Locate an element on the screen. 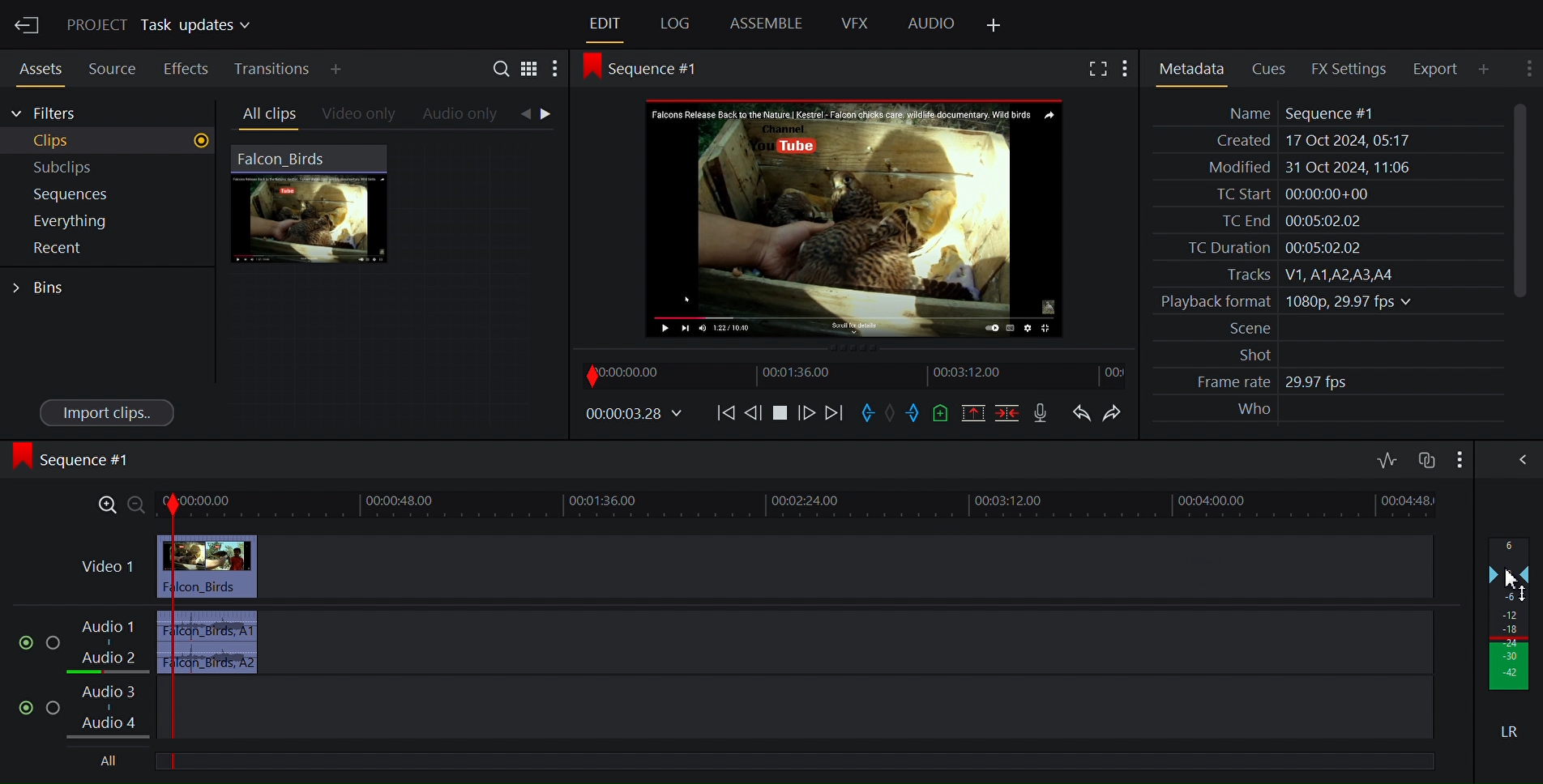  29.97 fps is located at coordinates (1321, 383).